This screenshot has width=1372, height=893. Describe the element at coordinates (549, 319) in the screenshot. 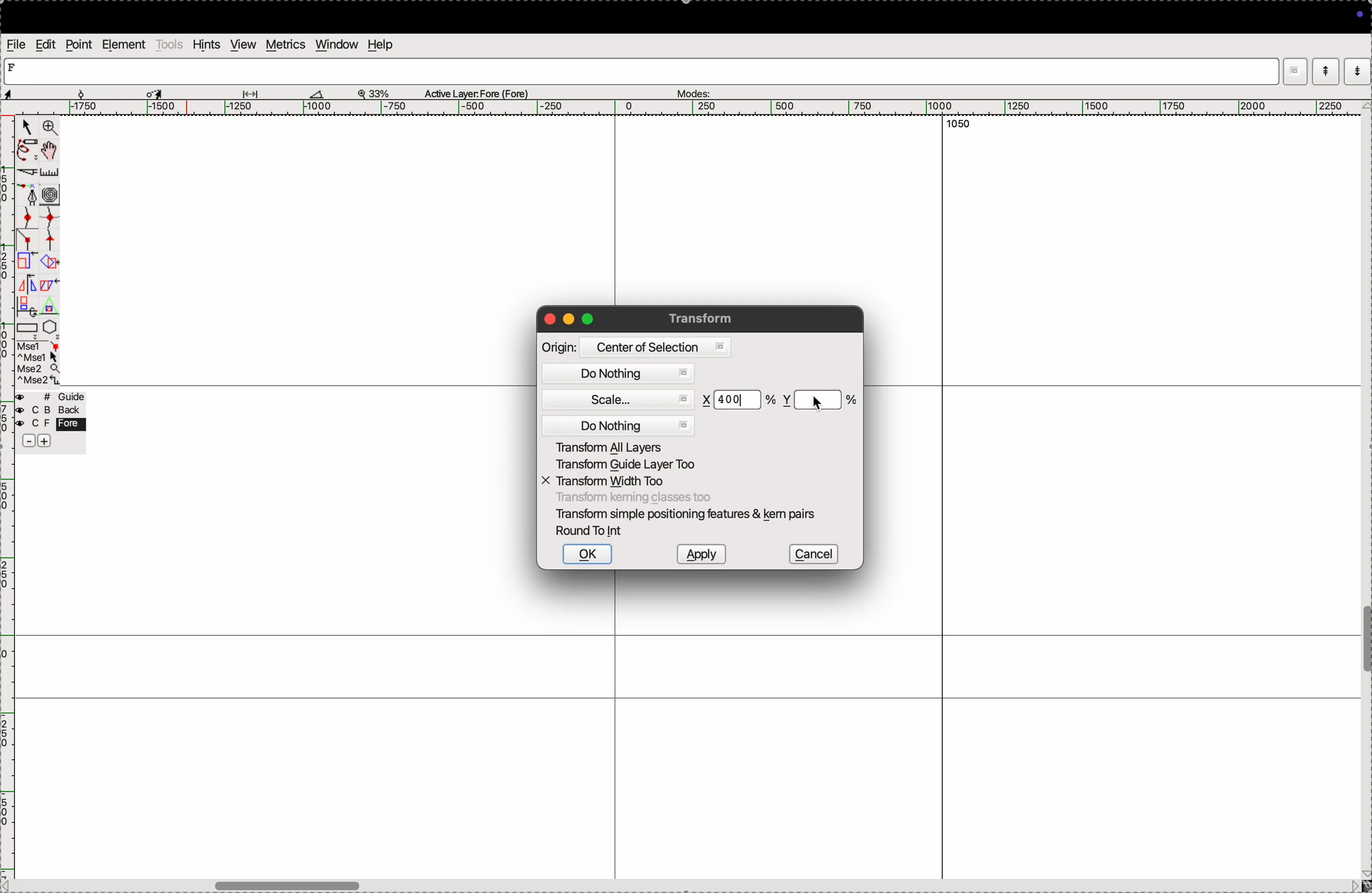

I see `closing` at that location.